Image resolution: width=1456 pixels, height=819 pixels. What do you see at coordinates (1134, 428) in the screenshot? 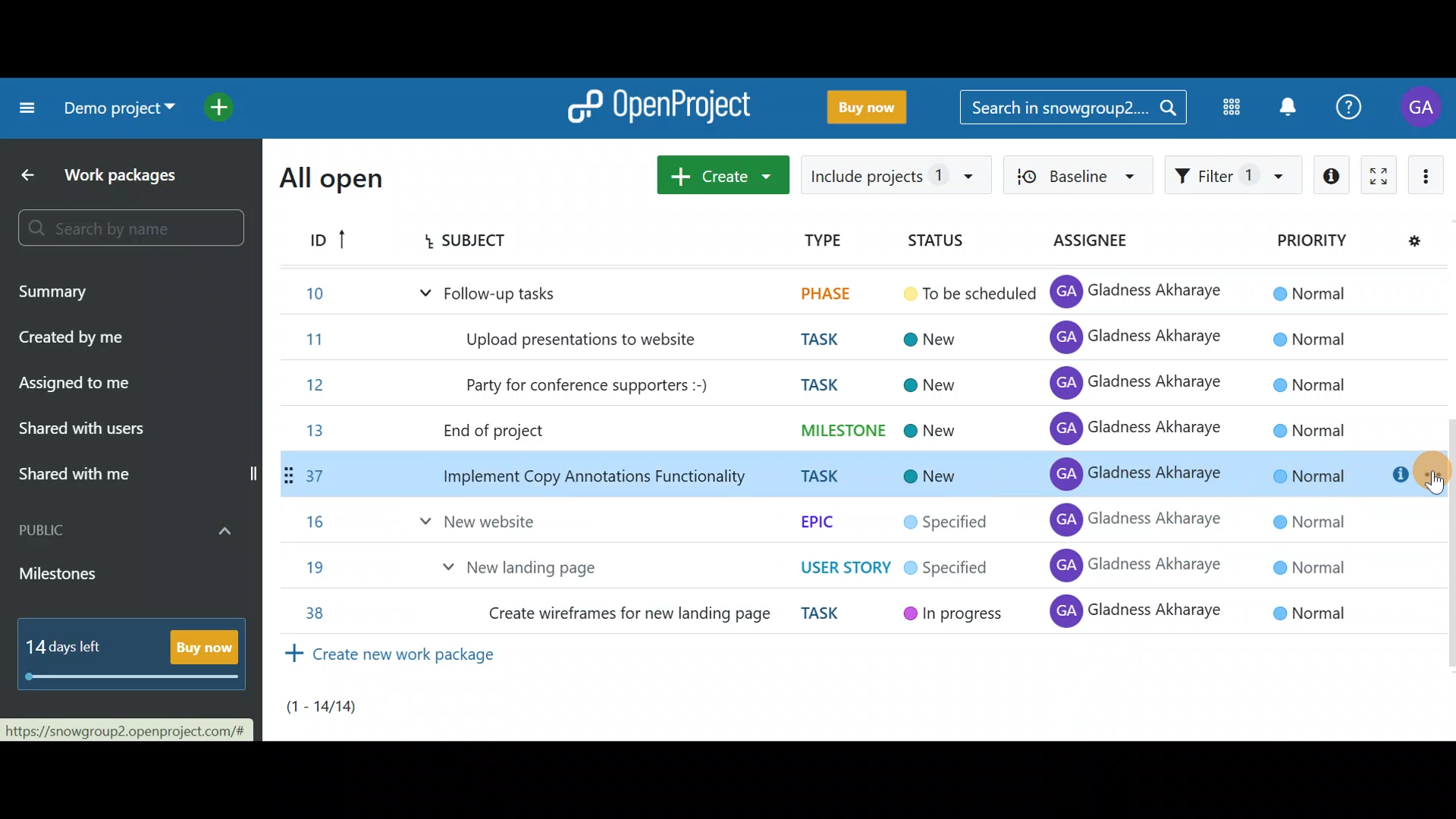
I see `GA Gladness Akharaye` at bounding box center [1134, 428].